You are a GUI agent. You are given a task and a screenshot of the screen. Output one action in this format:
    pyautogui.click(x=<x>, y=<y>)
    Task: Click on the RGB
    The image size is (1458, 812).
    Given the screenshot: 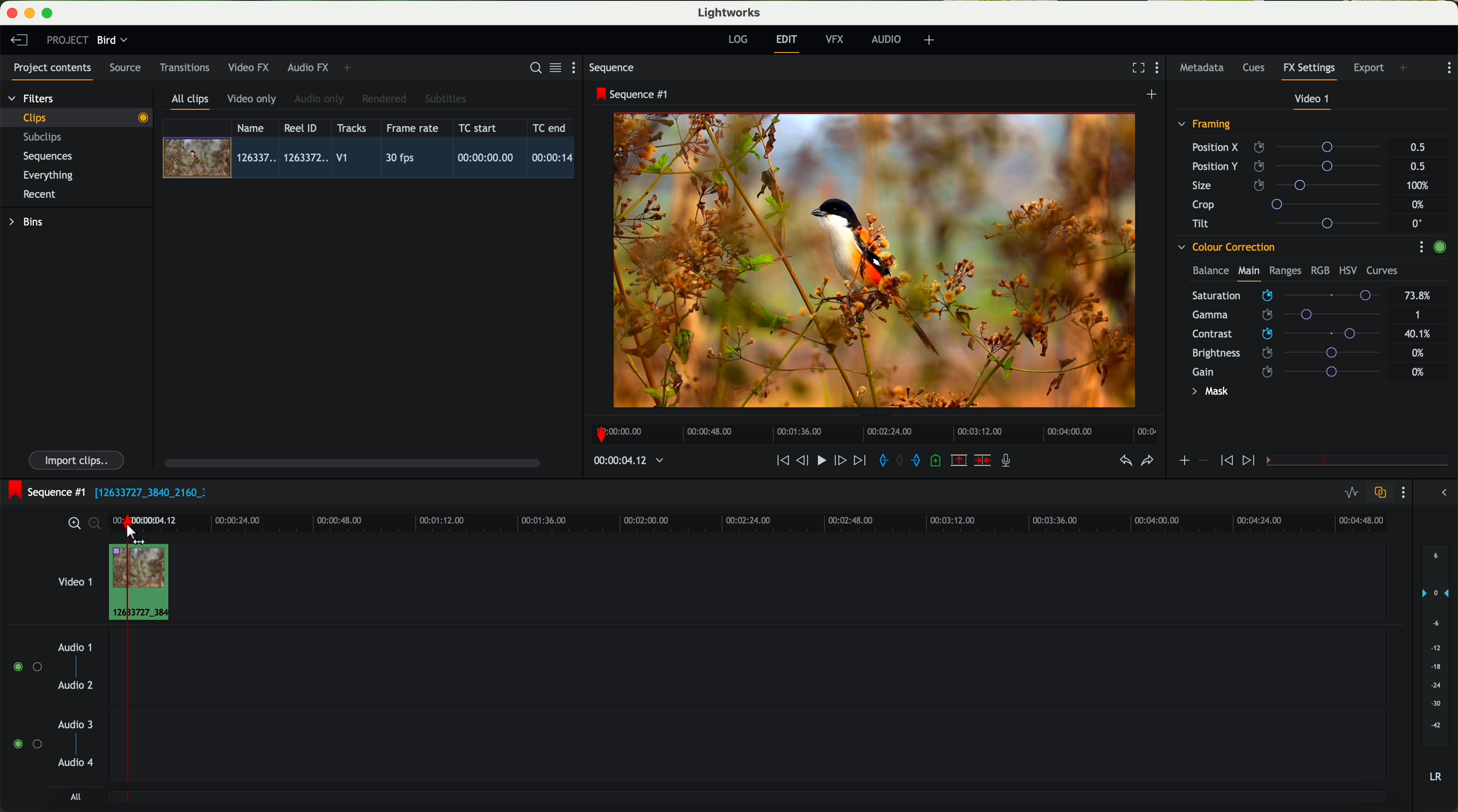 What is the action you would take?
    pyautogui.click(x=1319, y=269)
    